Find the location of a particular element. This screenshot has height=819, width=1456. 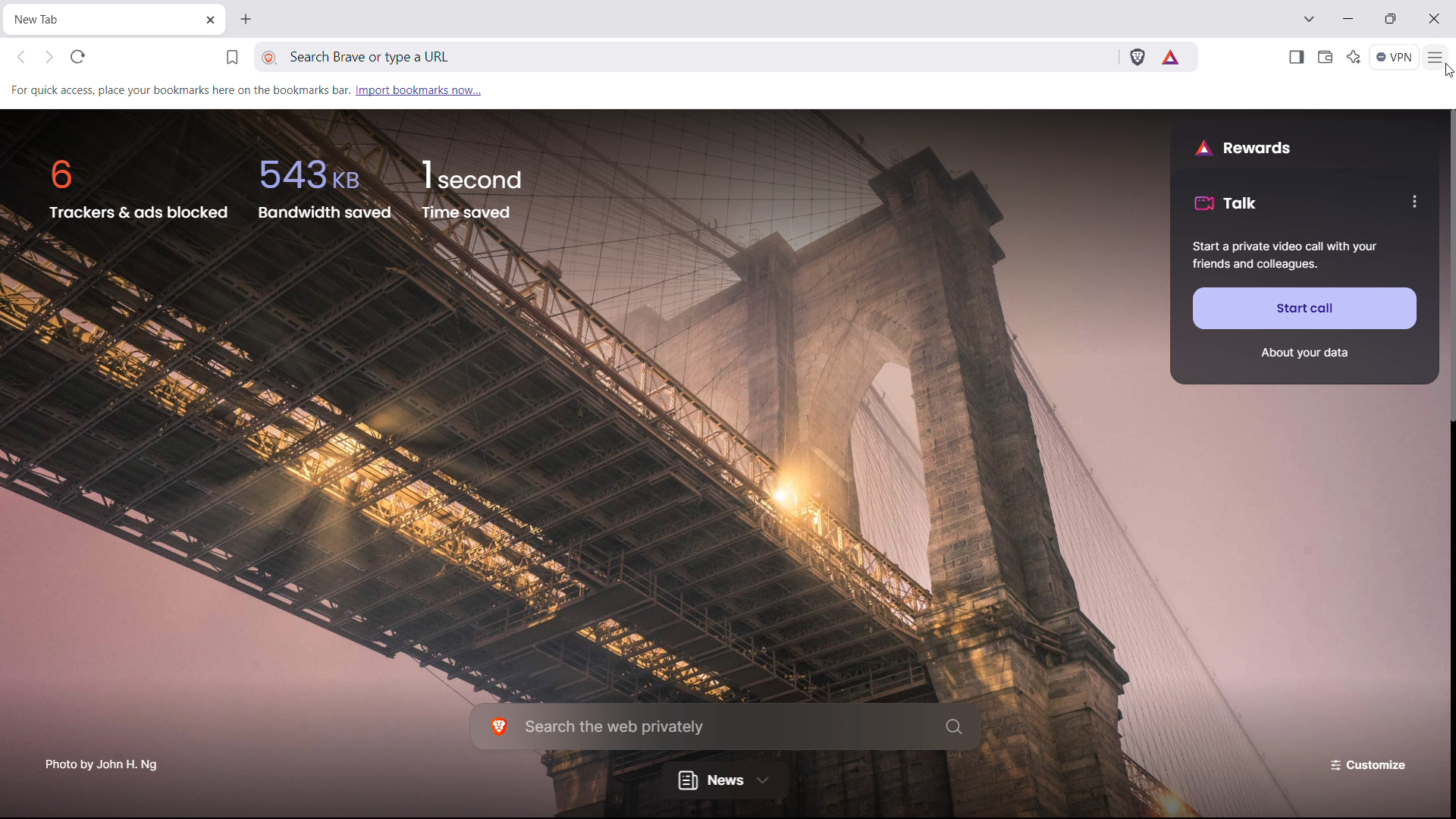

trackers and ads blocked is located at coordinates (140, 216).